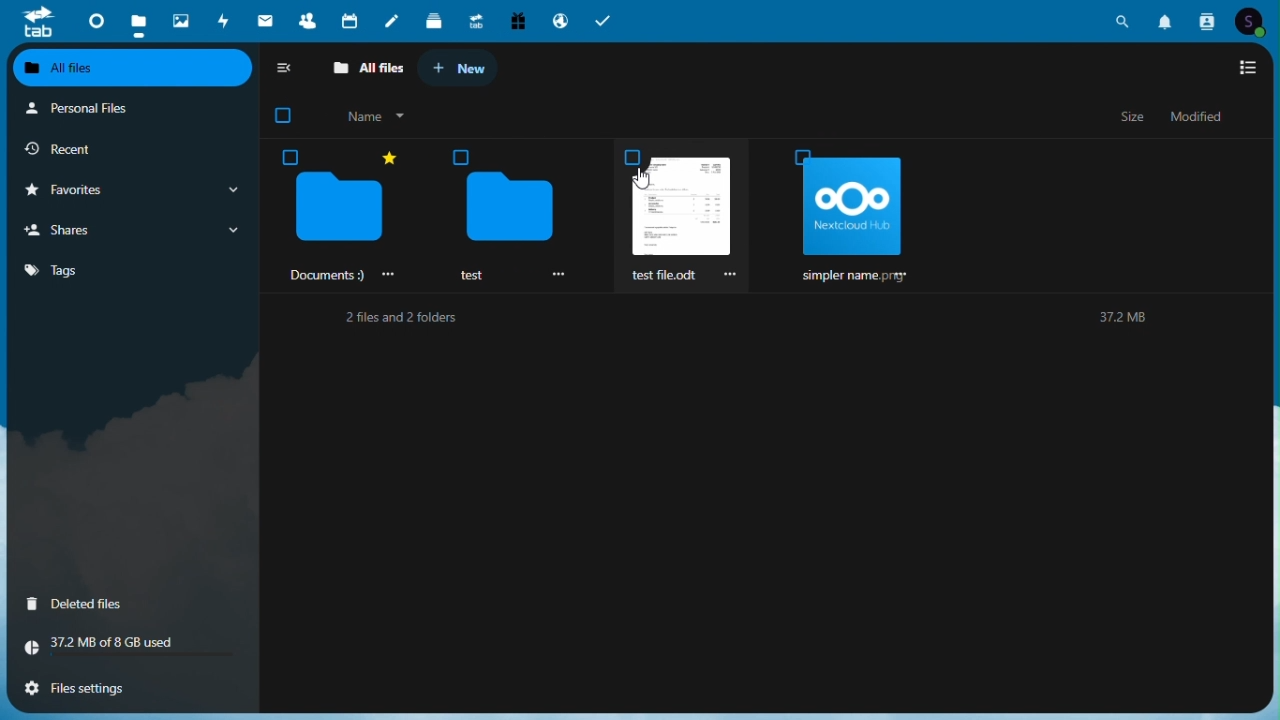 The height and width of the screenshot is (720, 1280). Describe the element at coordinates (130, 231) in the screenshot. I see `Shares` at that location.